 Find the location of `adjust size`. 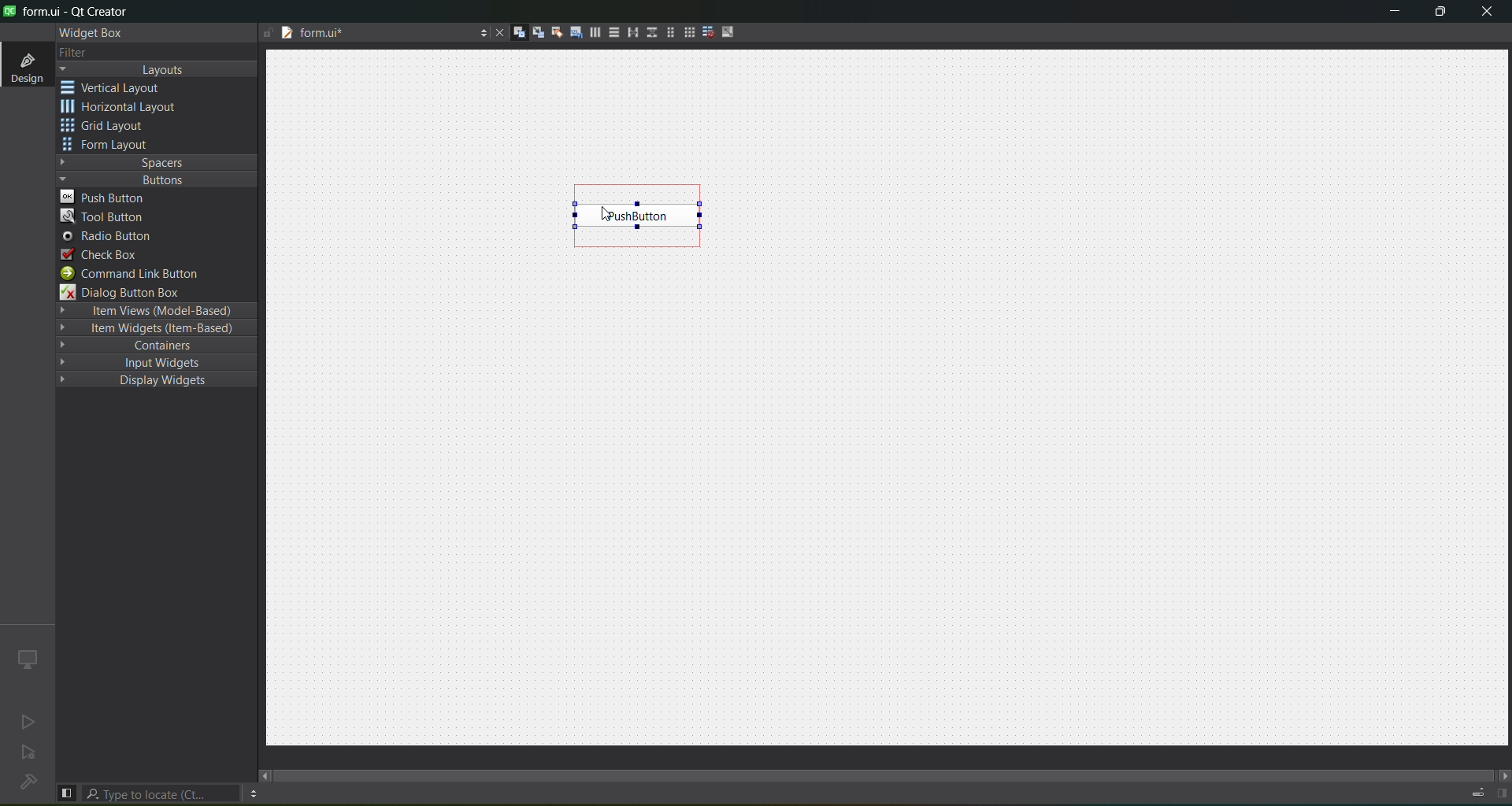

adjust size is located at coordinates (730, 31).